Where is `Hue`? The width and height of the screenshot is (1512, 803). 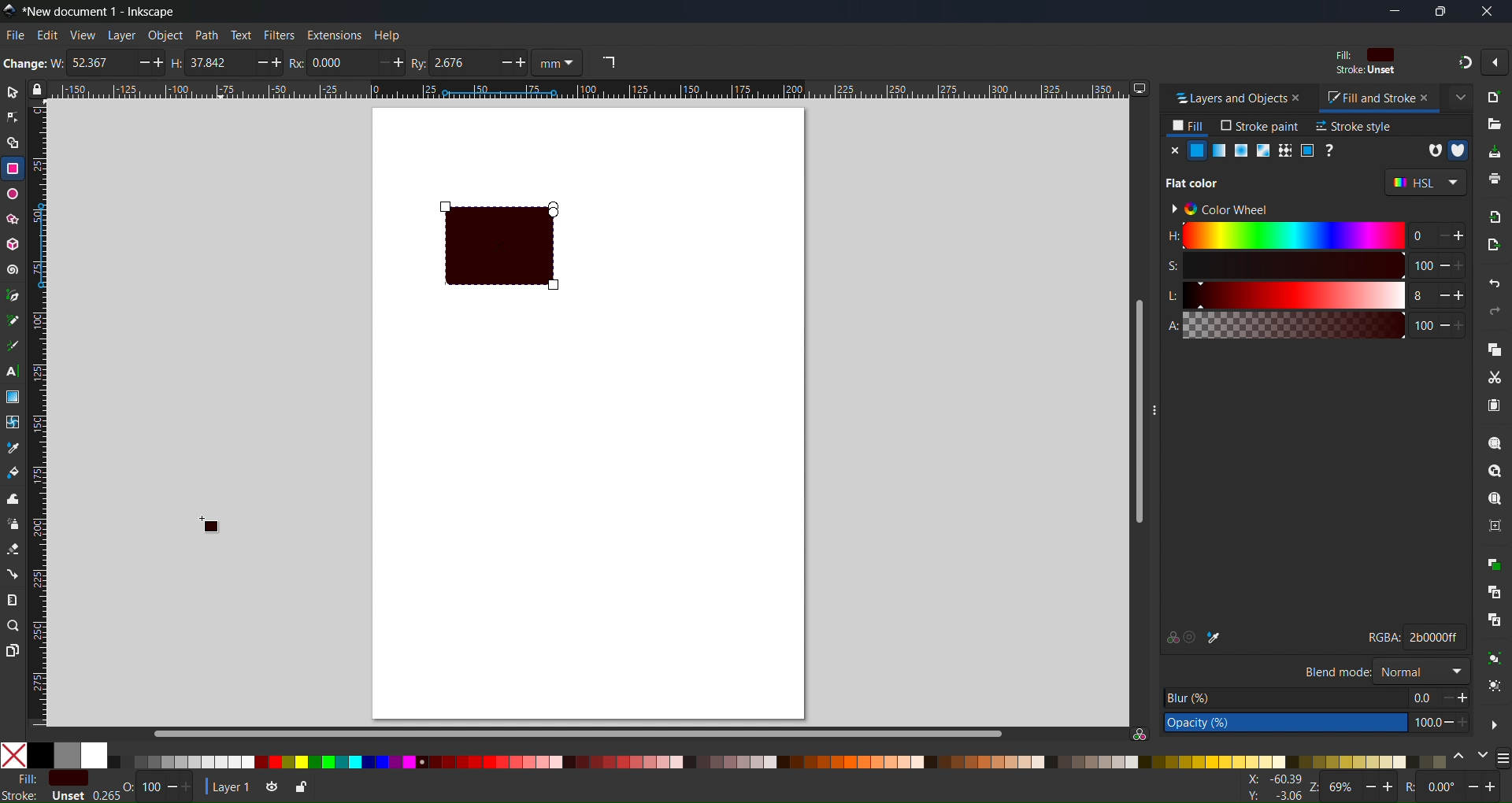
Hue is located at coordinates (1283, 235).